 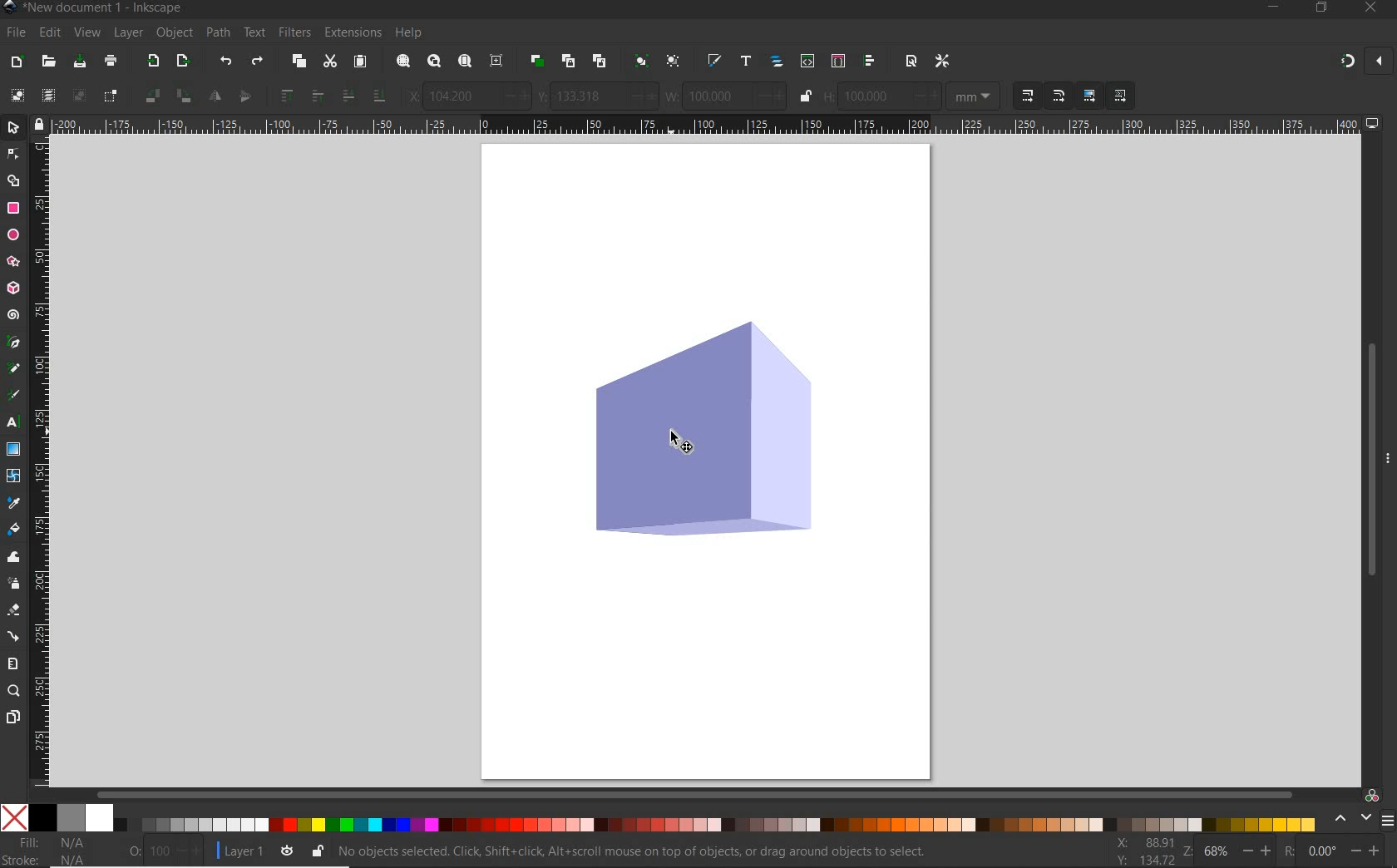 I want to click on CURSOR COORDINATES, so click(x=1143, y=850).